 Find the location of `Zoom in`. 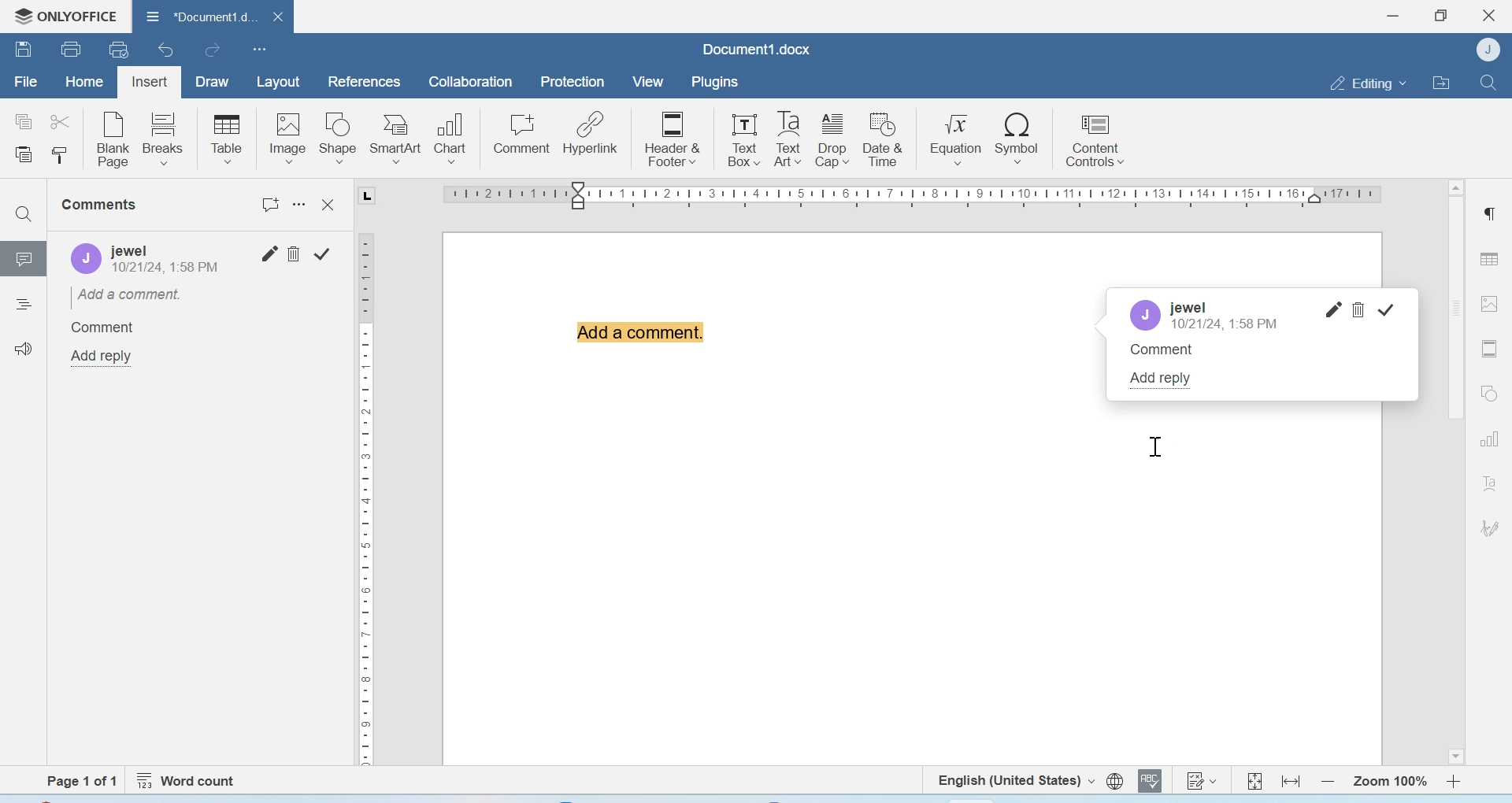

Zoom in is located at coordinates (1455, 781).